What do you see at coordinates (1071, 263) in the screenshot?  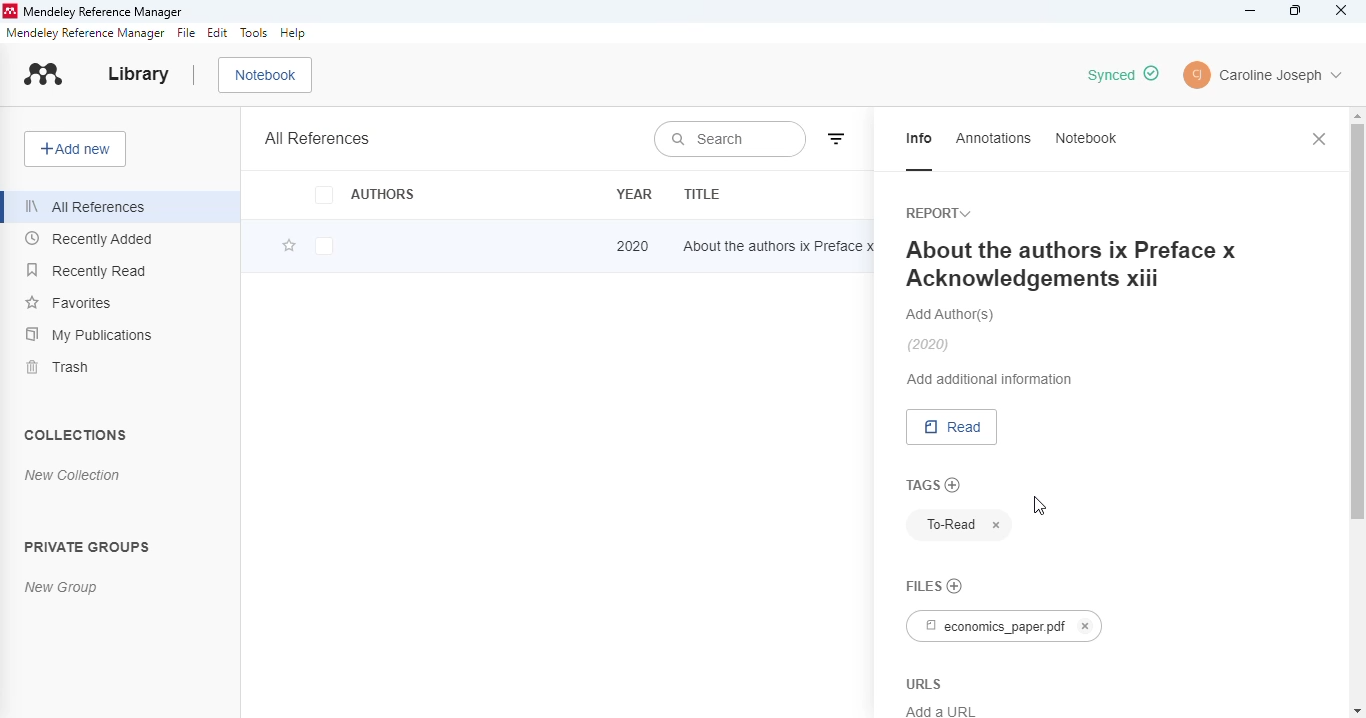 I see `About the authors ix Preface x Acknowledgements xiii` at bounding box center [1071, 263].